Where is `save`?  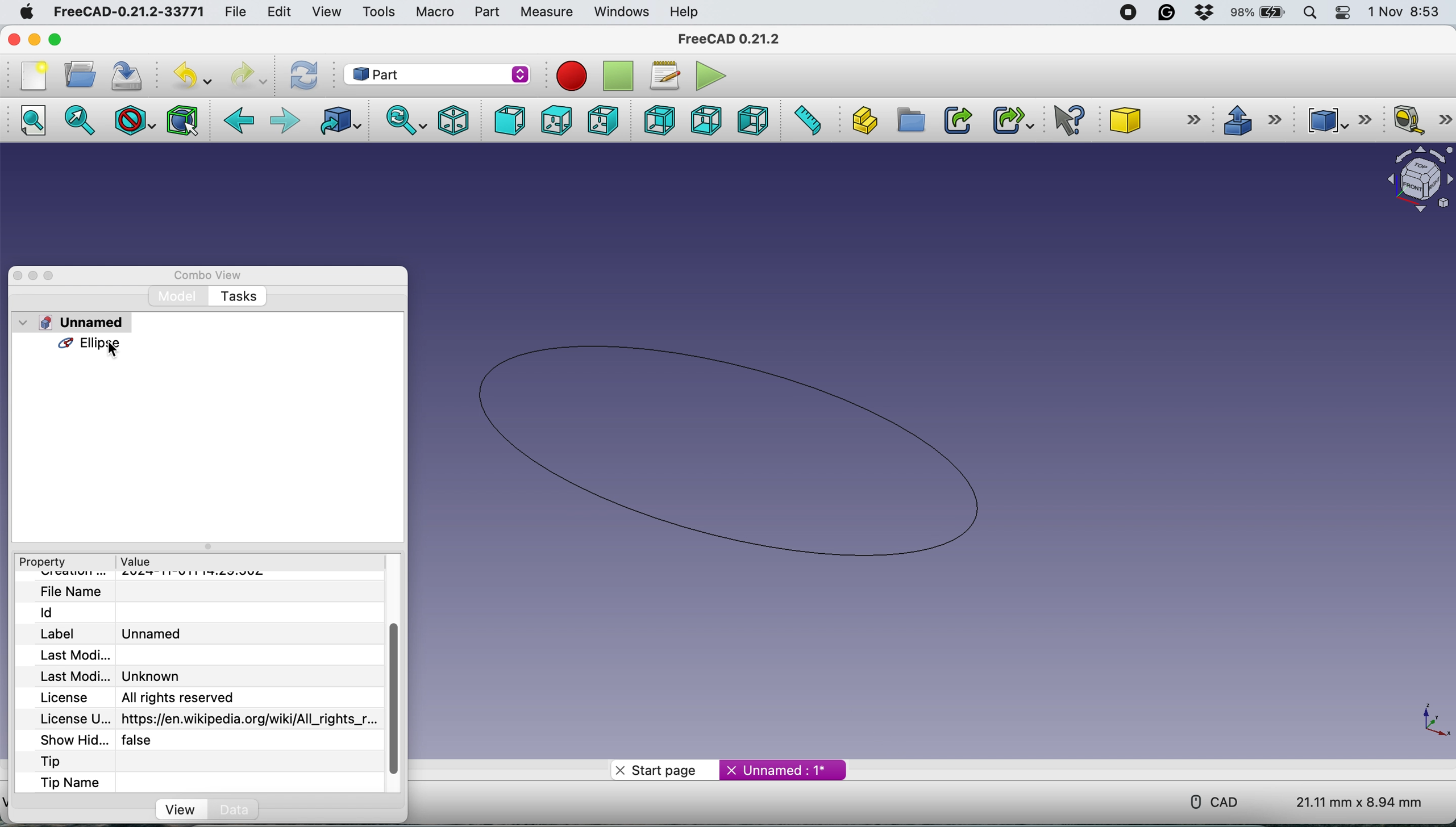
save is located at coordinates (130, 74).